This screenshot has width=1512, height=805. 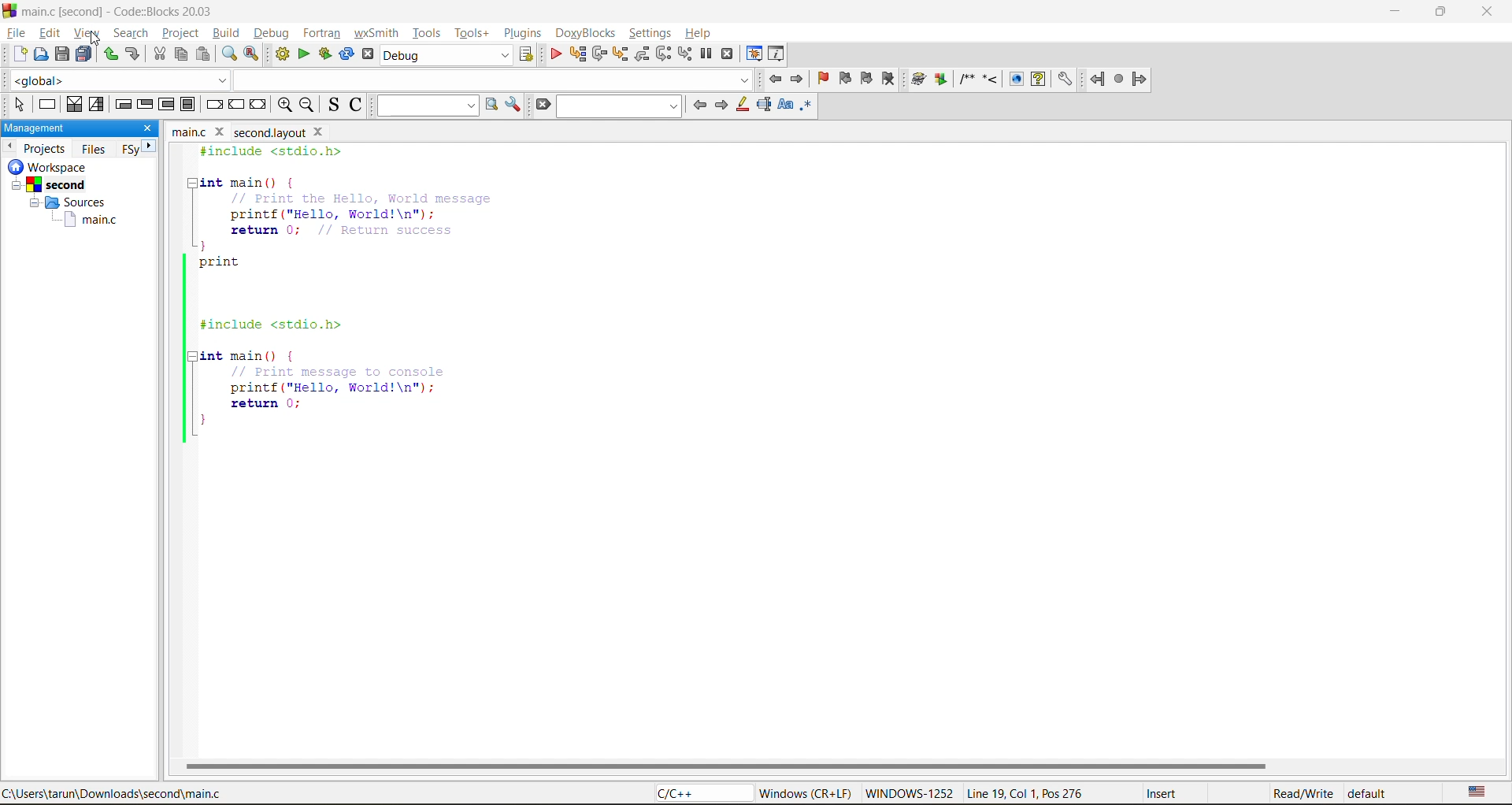 I want to click on block instruction, so click(x=185, y=104).